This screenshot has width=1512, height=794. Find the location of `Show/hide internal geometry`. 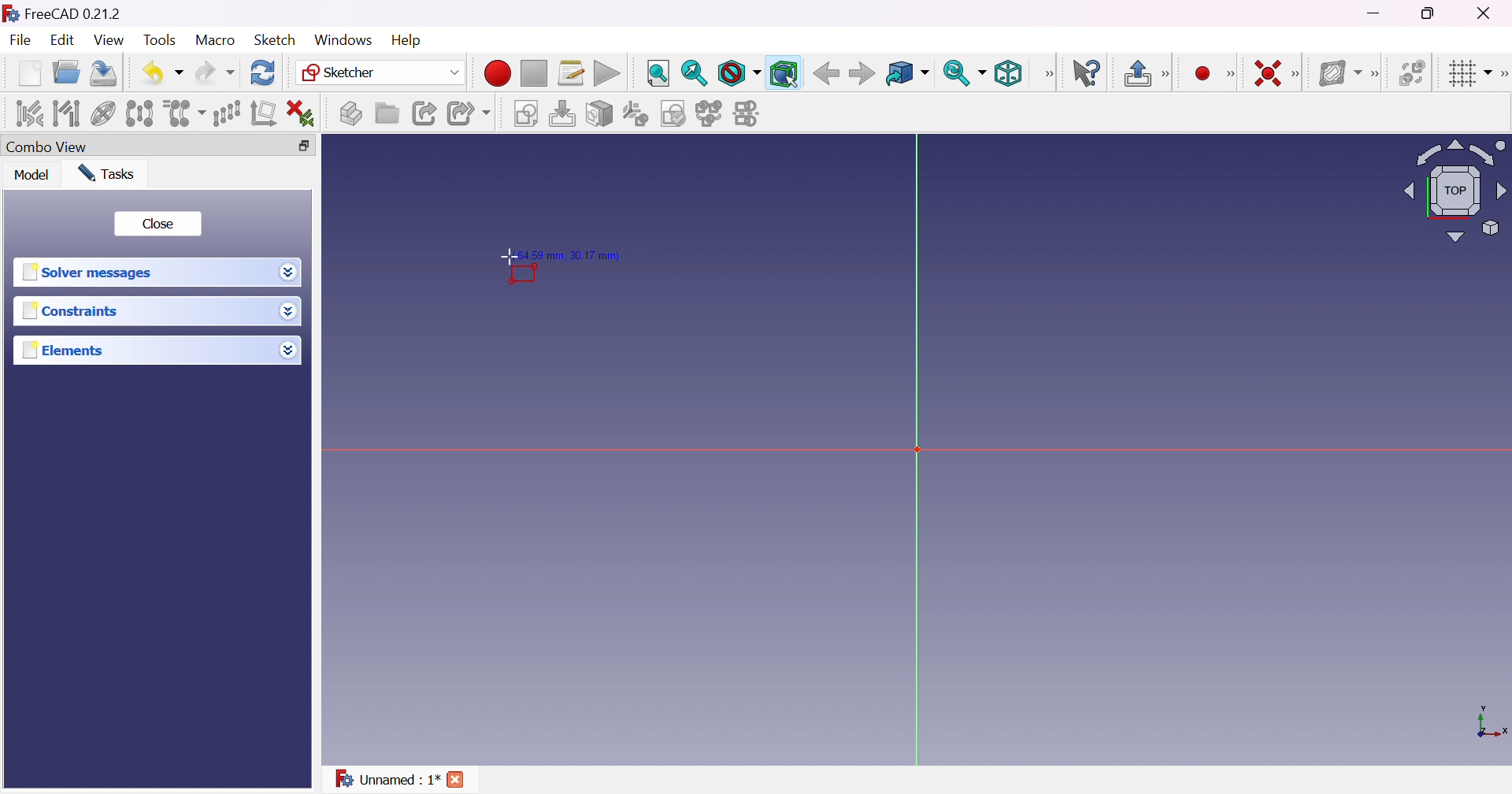

Show/hide internal geometry is located at coordinates (103, 113).